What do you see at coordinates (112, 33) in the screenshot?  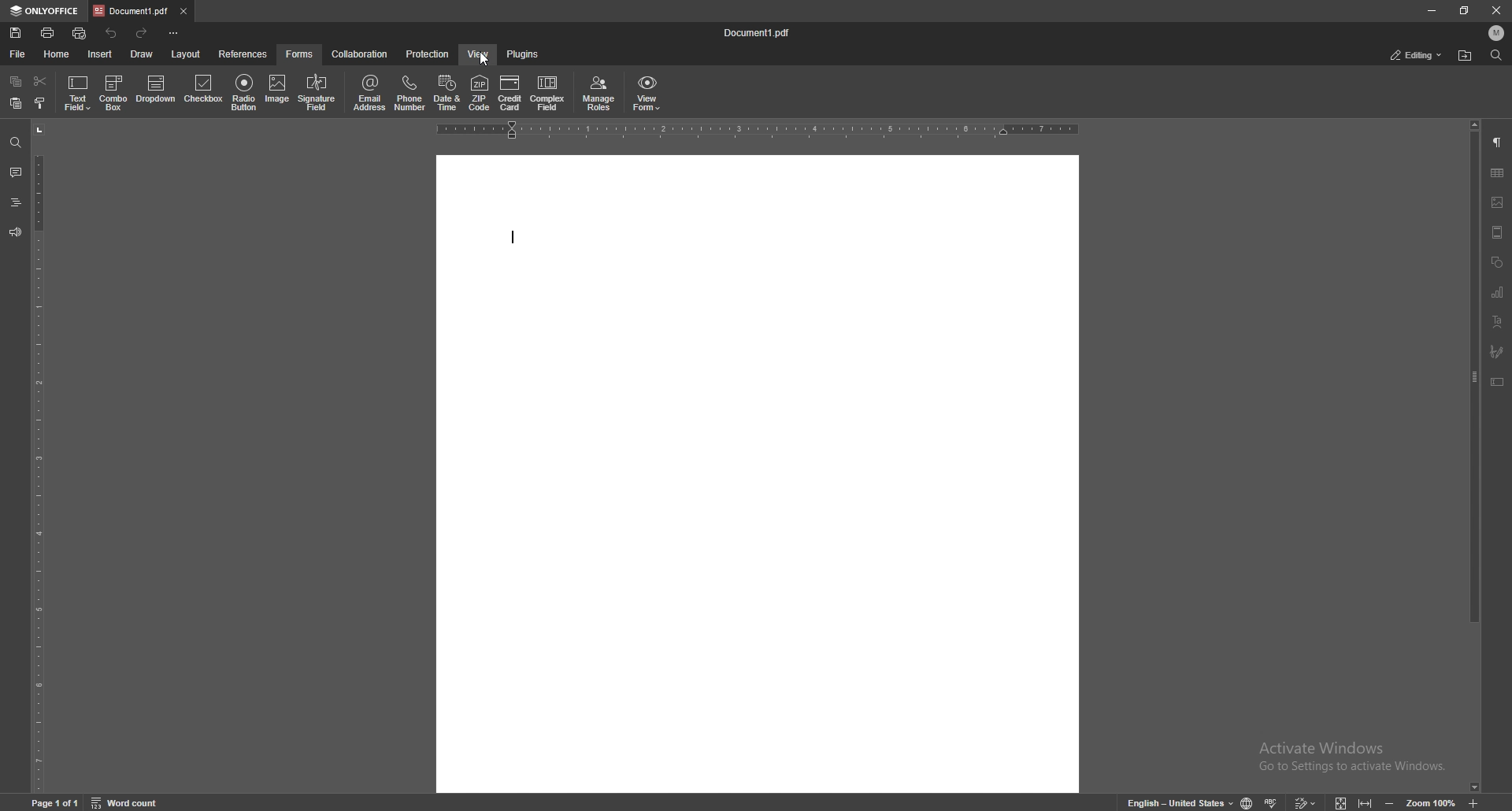 I see `undo` at bounding box center [112, 33].